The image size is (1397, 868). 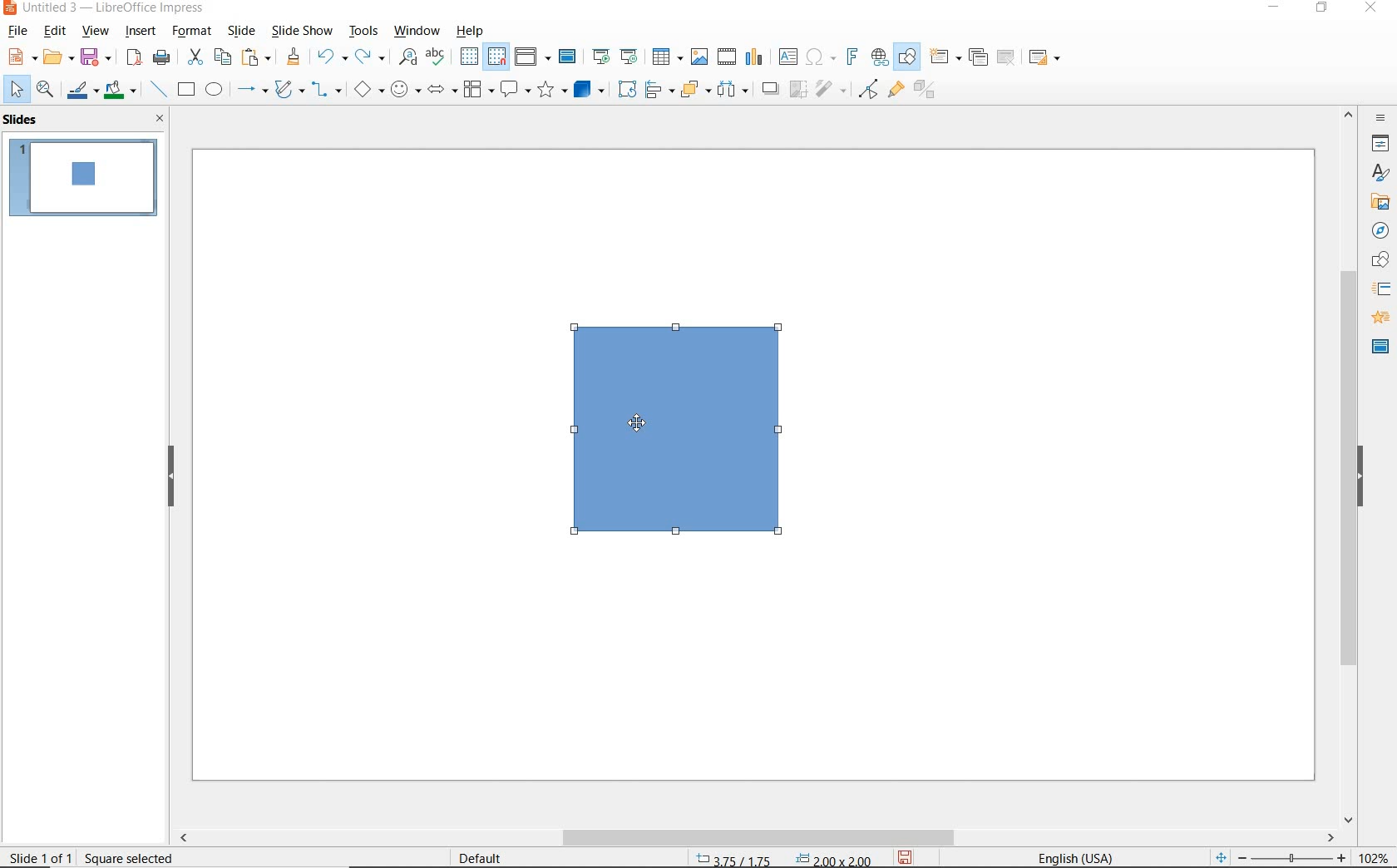 What do you see at coordinates (550, 91) in the screenshot?
I see `stars and banners` at bounding box center [550, 91].